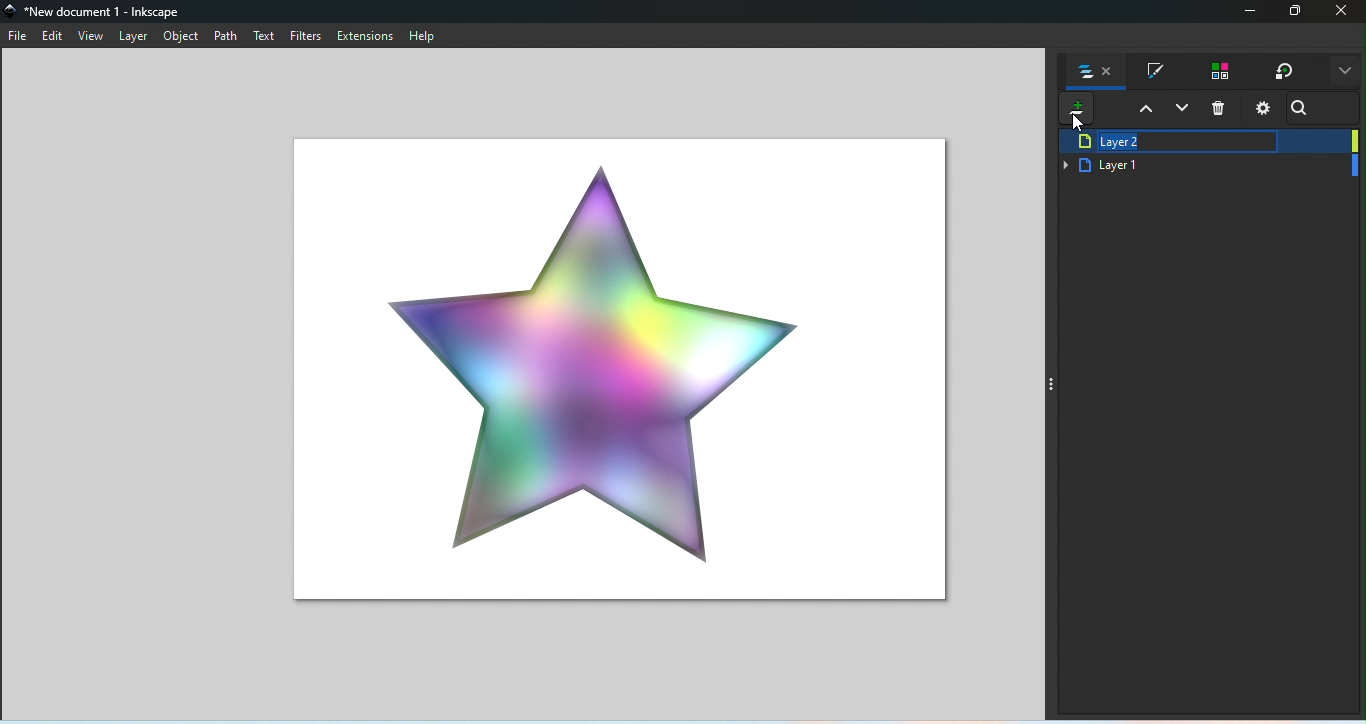 The width and height of the screenshot is (1366, 724). Describe the element at coordinates (1344, 73) in the screenshot. I see `More options` at that location.